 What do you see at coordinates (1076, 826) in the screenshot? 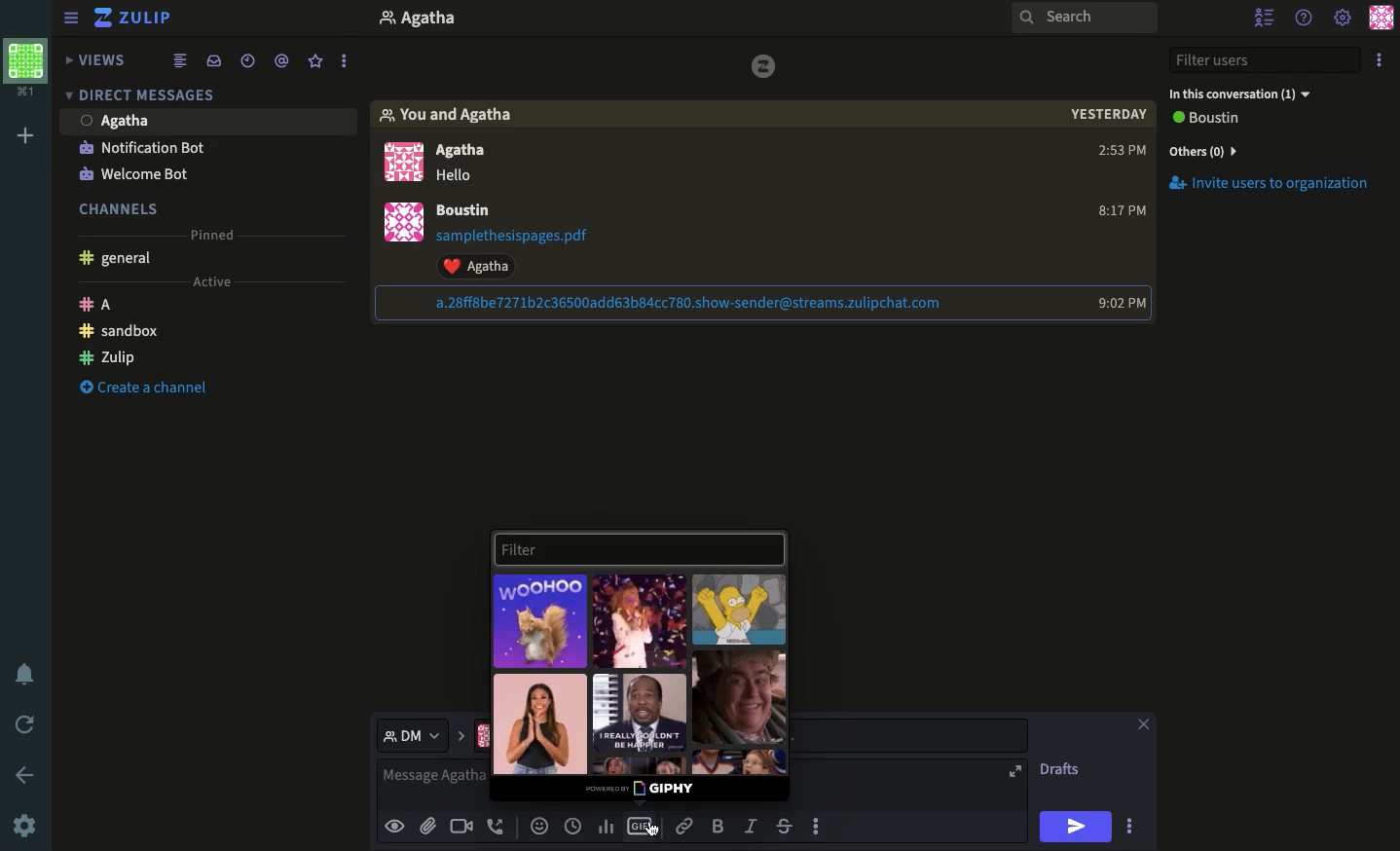
I see `Send` at bounding box center [1076, 826].